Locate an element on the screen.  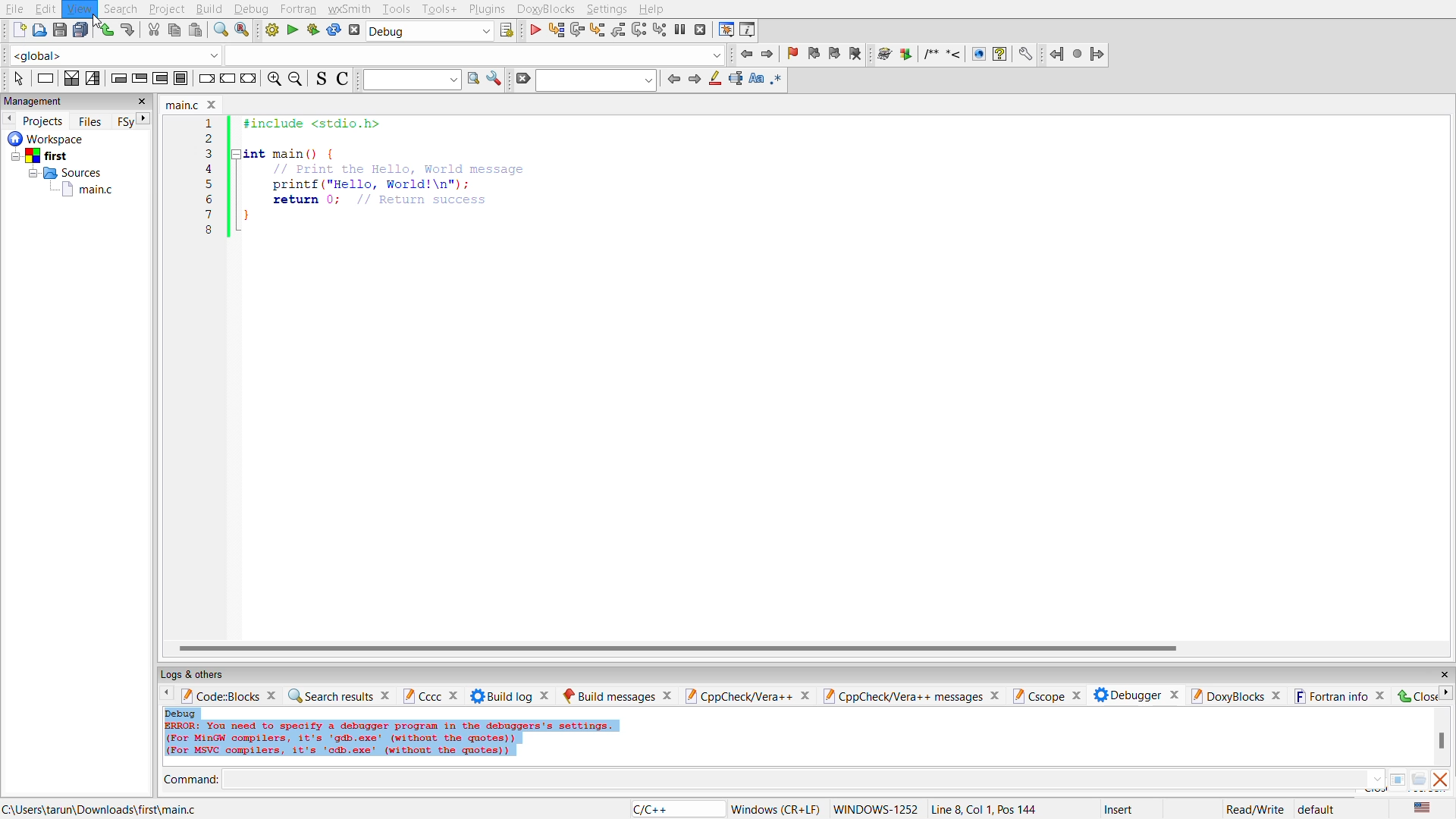
close is located at coordinates (145, 102).